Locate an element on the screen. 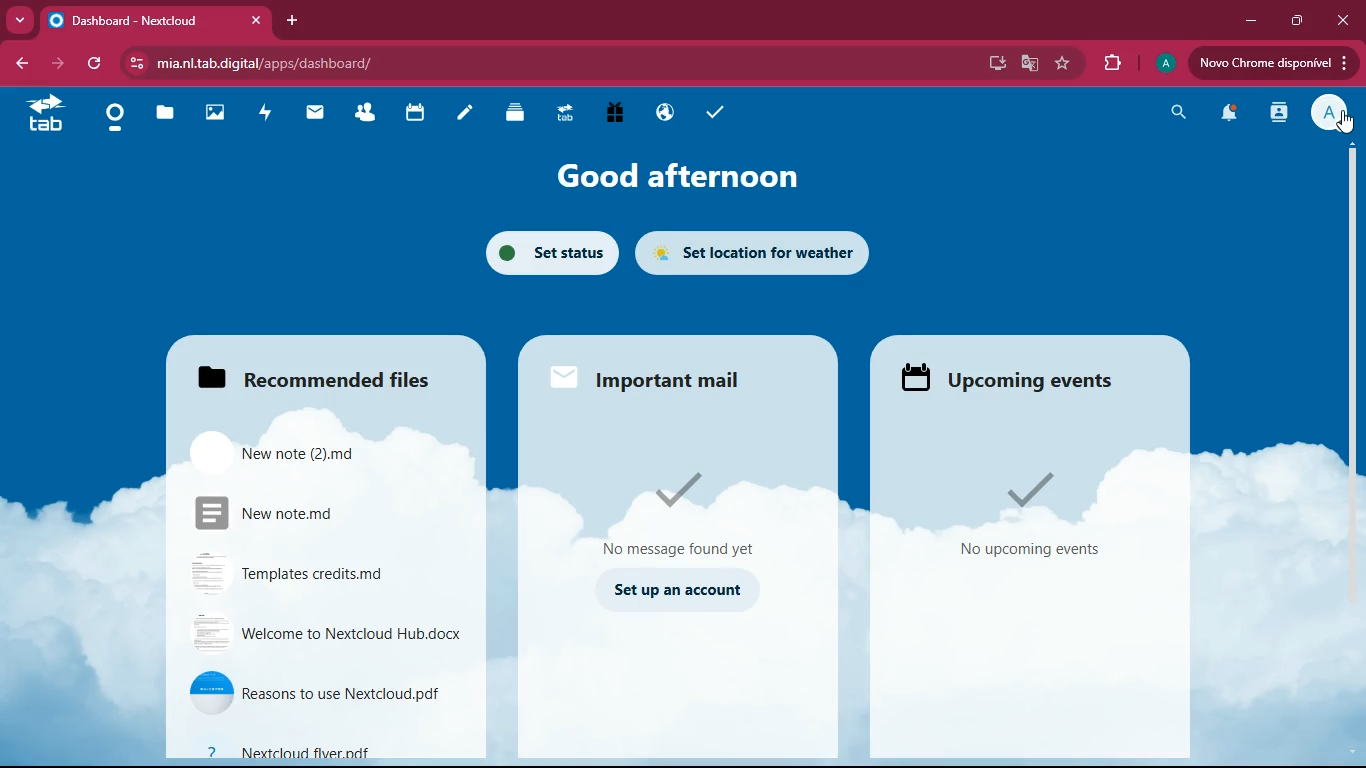 This screenshot has height=768, width=1366. set location is located at coordinates (760, 256).